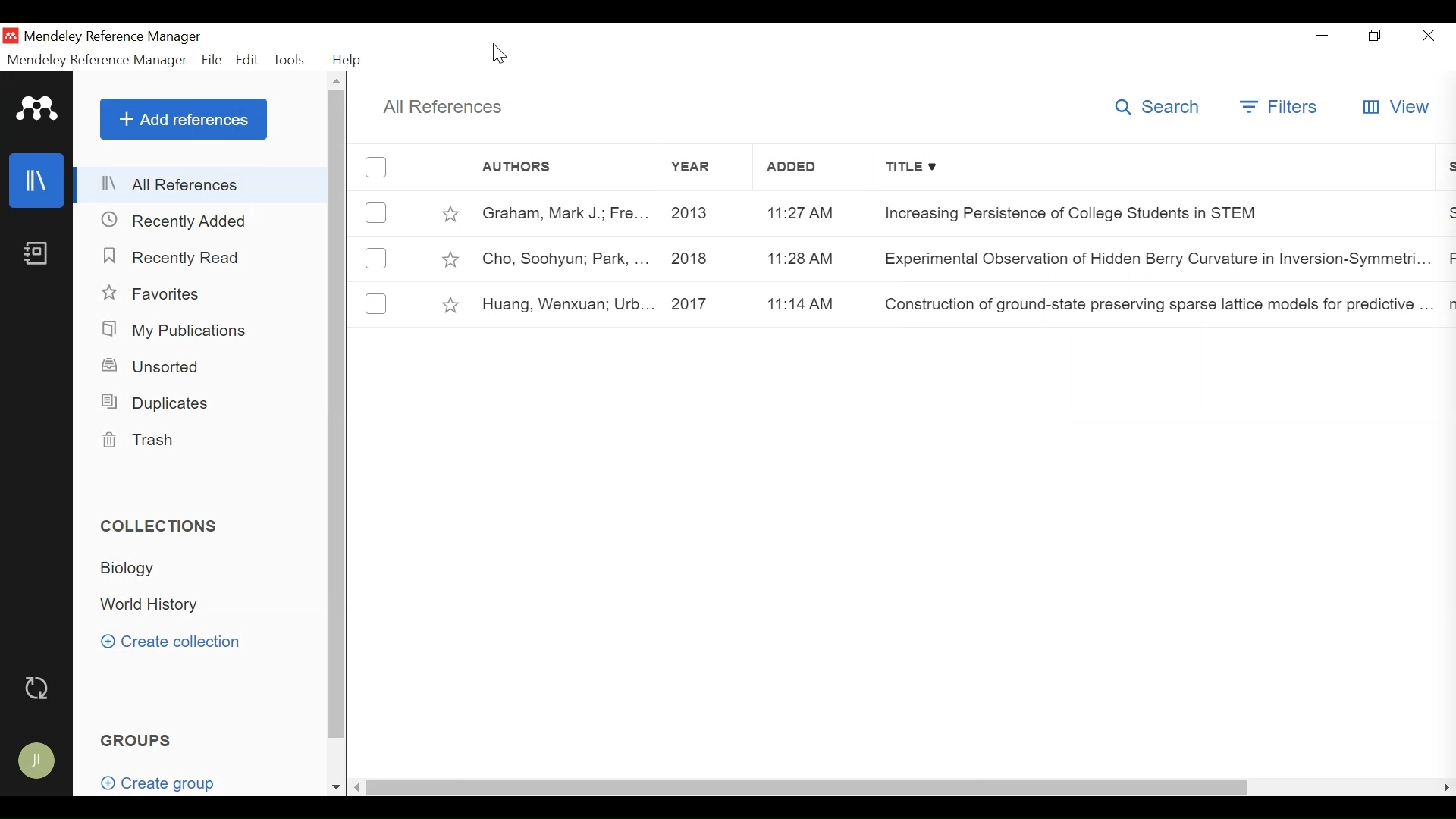  What do you see at coordinates (704, 167) in the screenshot?
I see `Year` at bounding box center [704, 167].